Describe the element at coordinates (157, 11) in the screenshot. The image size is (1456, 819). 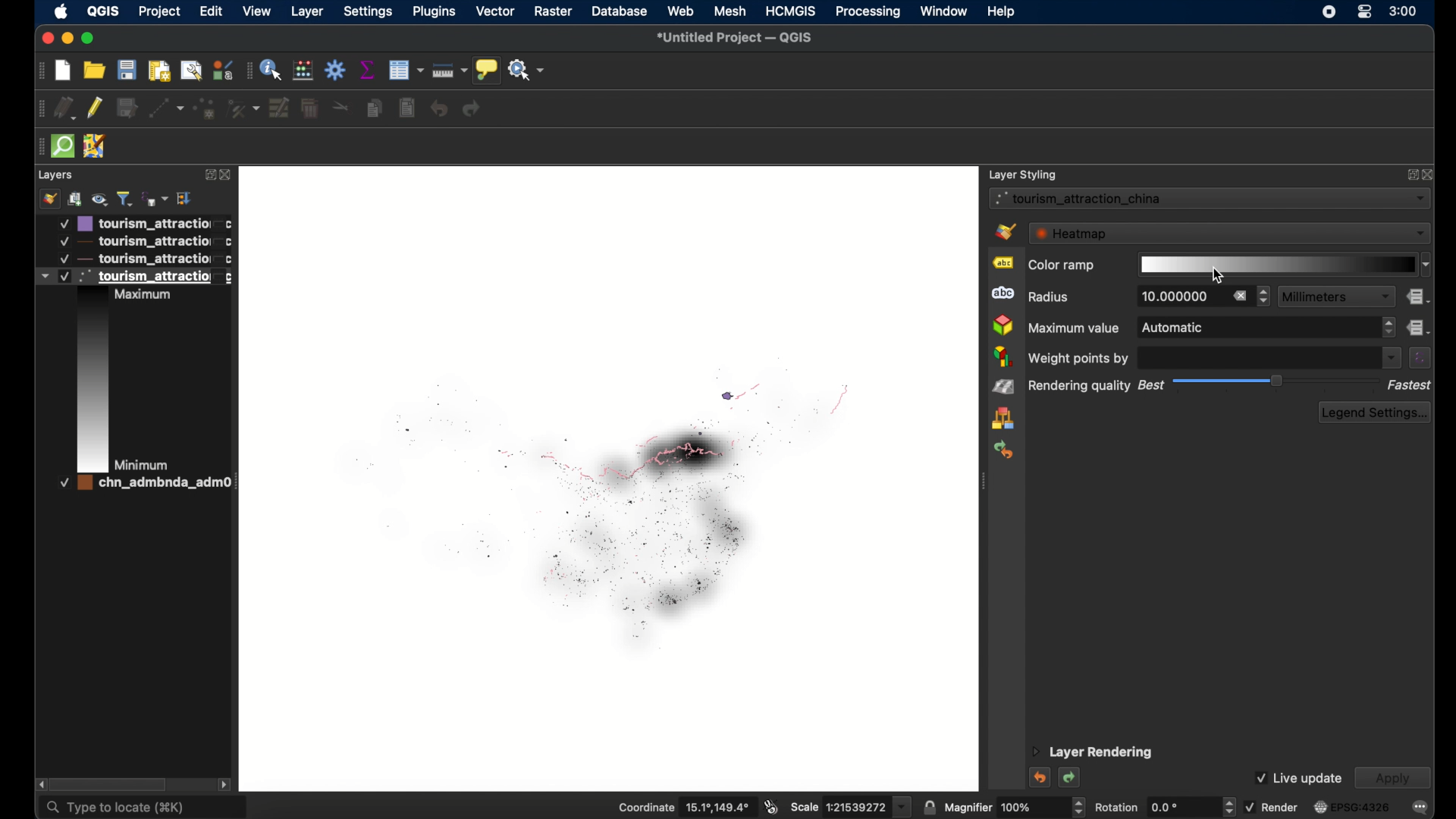
I see `project` at that location.